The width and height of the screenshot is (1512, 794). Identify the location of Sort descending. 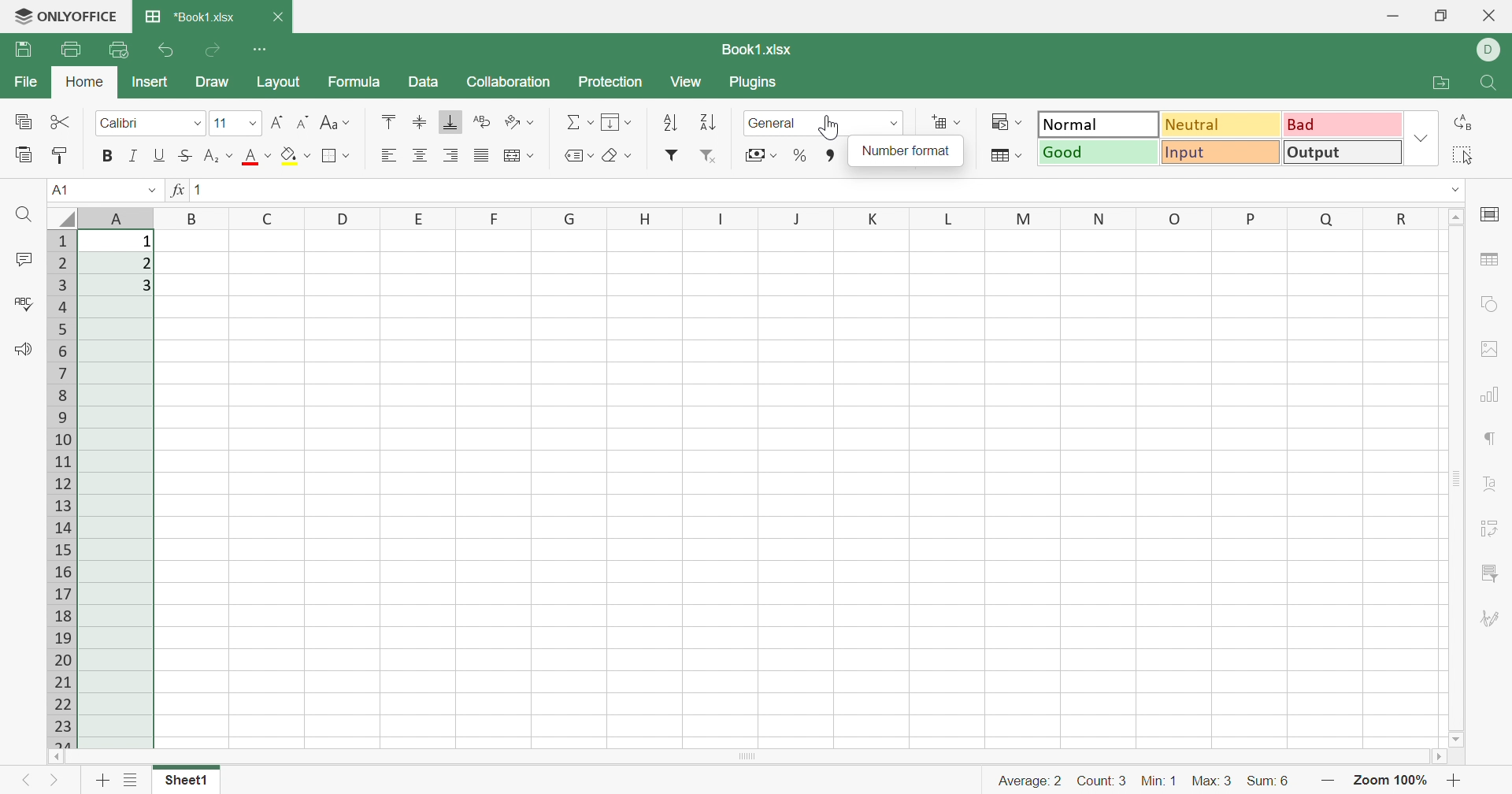
(707, 124).